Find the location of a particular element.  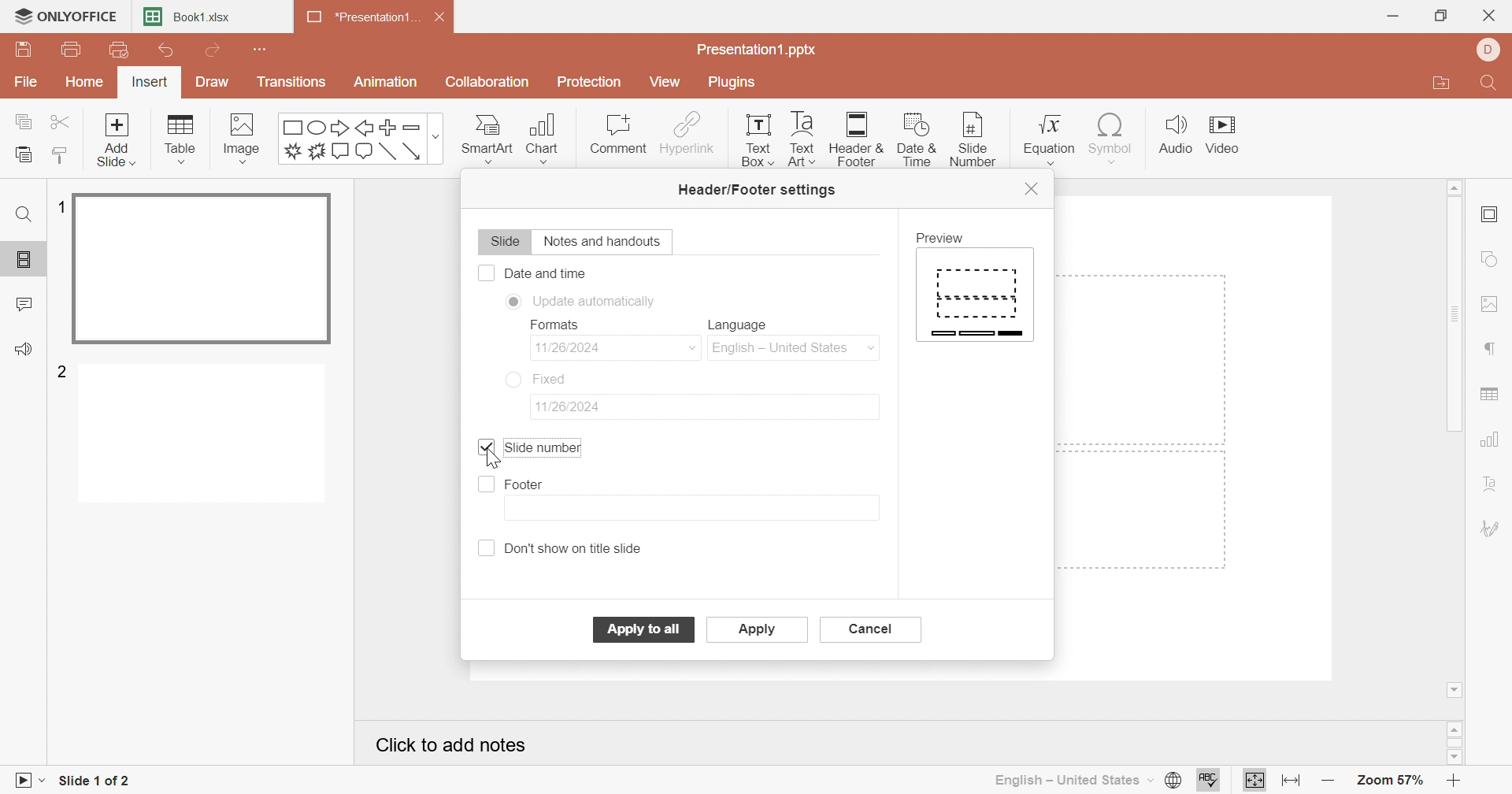

Checkbox is located at coordinates (485, 273).